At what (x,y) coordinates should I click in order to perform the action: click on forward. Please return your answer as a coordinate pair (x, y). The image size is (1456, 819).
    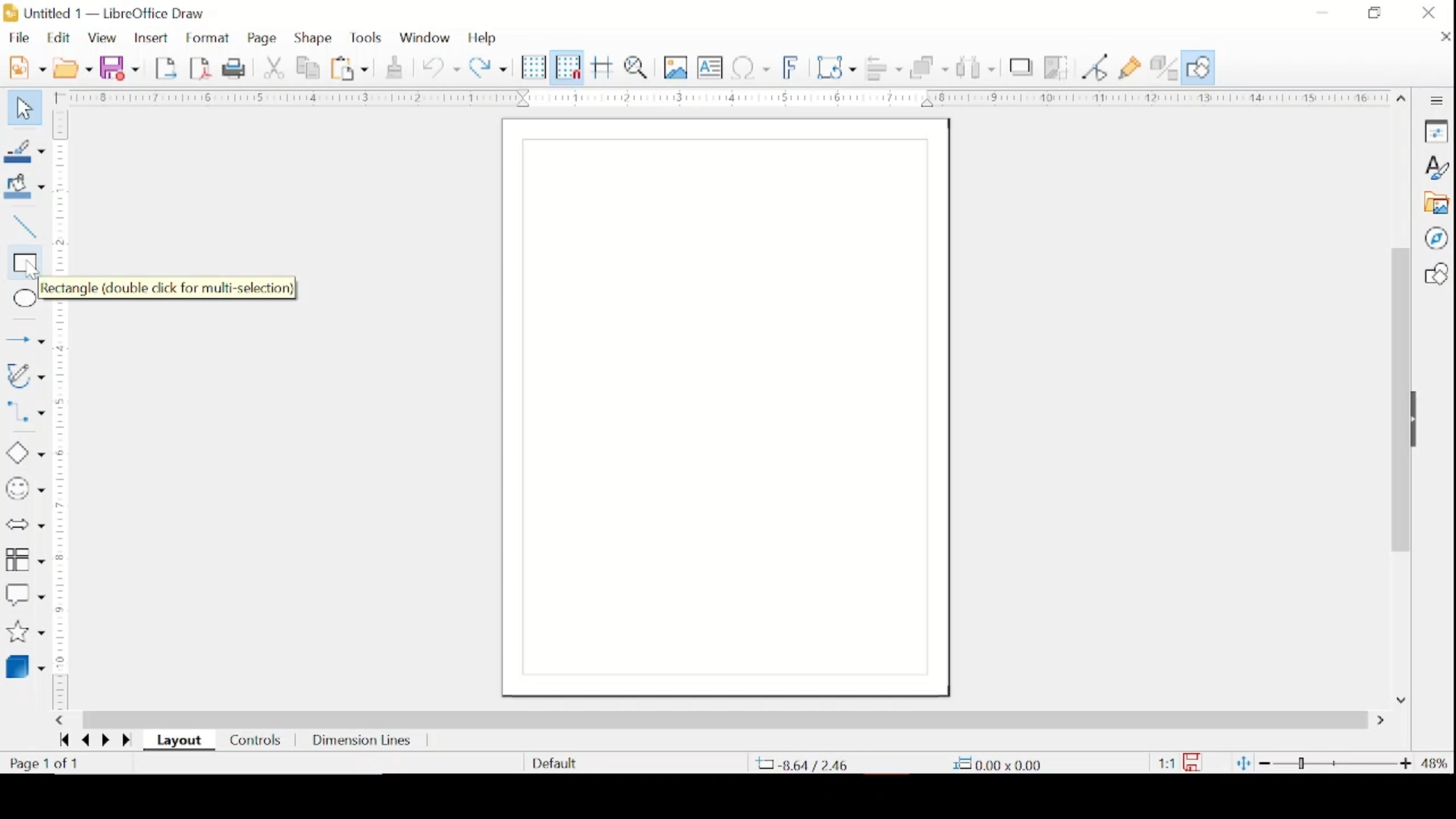
    Looking at the image, I should click on (128, 741).